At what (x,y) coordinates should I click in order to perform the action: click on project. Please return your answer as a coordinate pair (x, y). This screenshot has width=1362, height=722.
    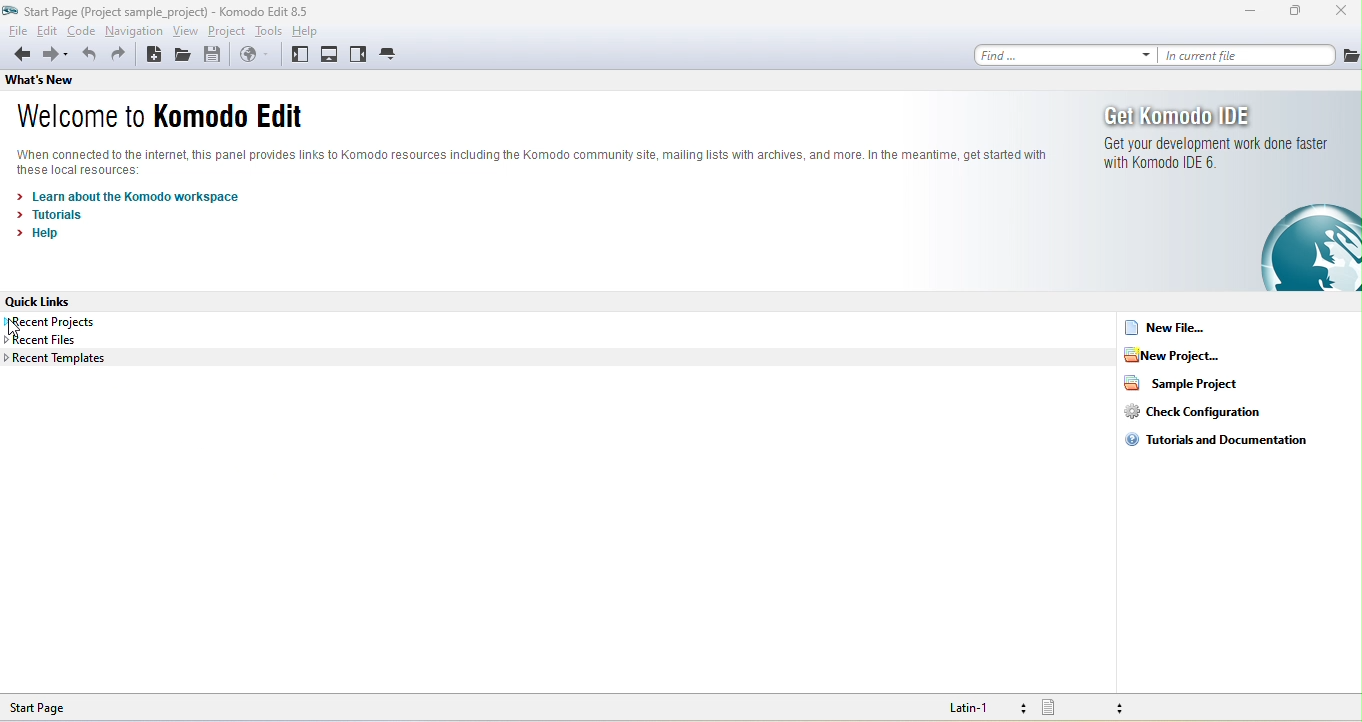
    Looking at the image, I should click on (224, 32).